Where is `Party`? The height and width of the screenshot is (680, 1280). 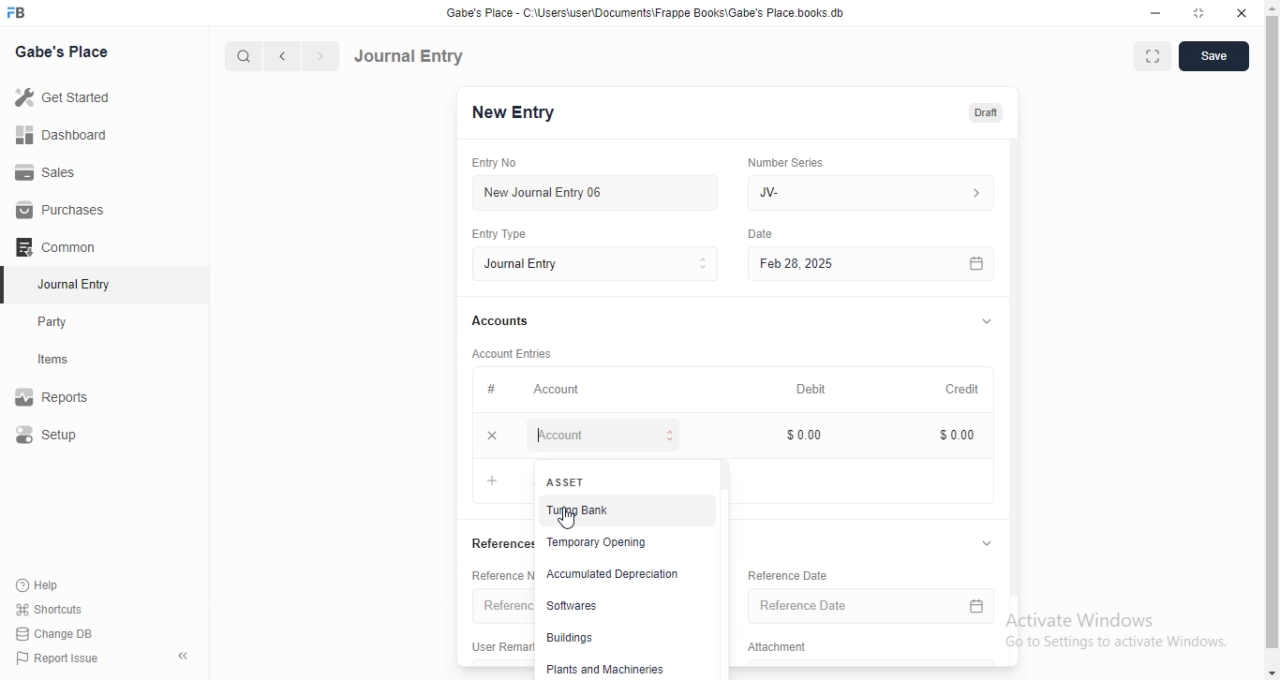
Party is located at coordinates (66, 322).